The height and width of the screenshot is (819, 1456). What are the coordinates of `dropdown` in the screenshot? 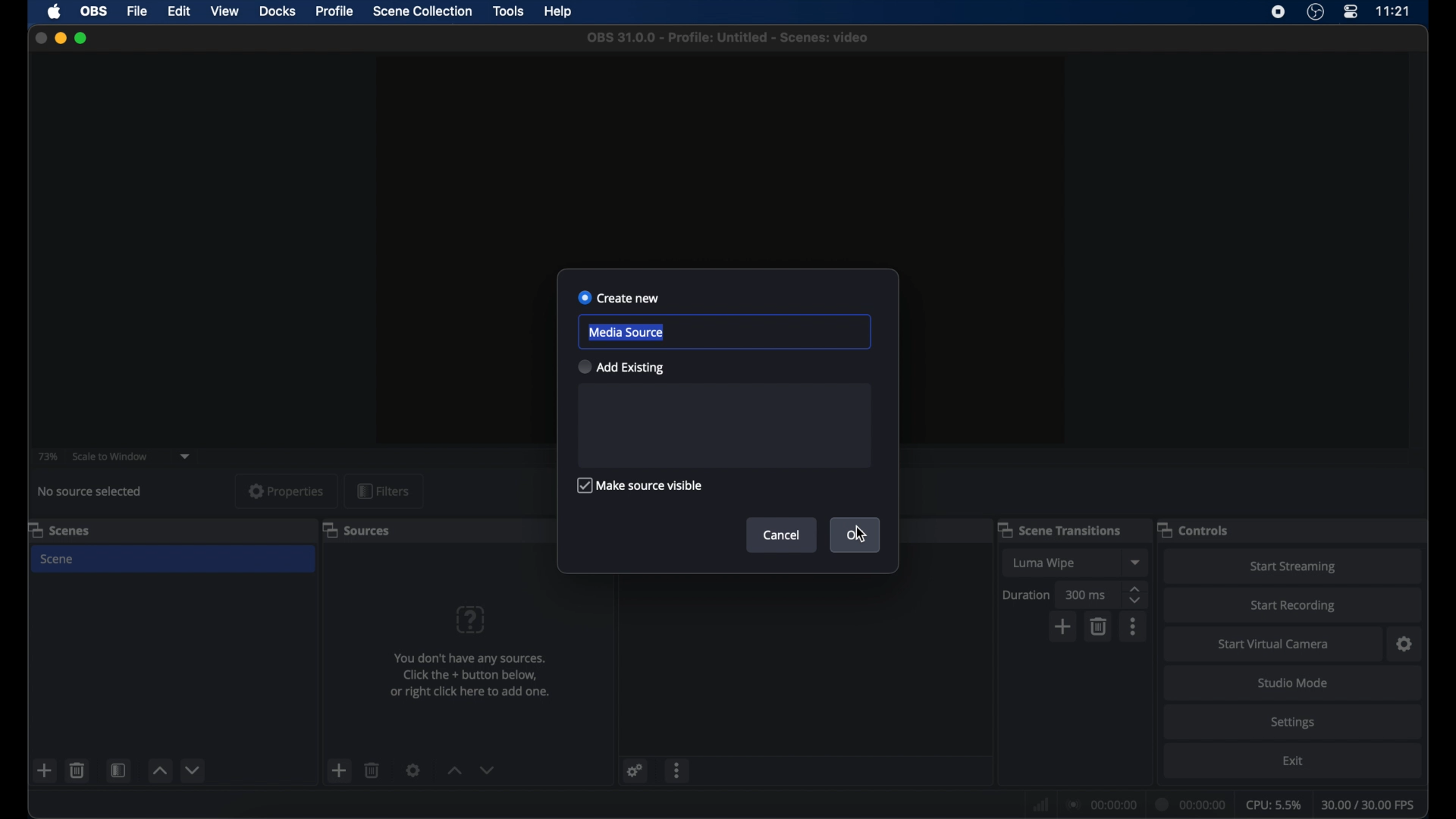 It's located at (1137, 563).